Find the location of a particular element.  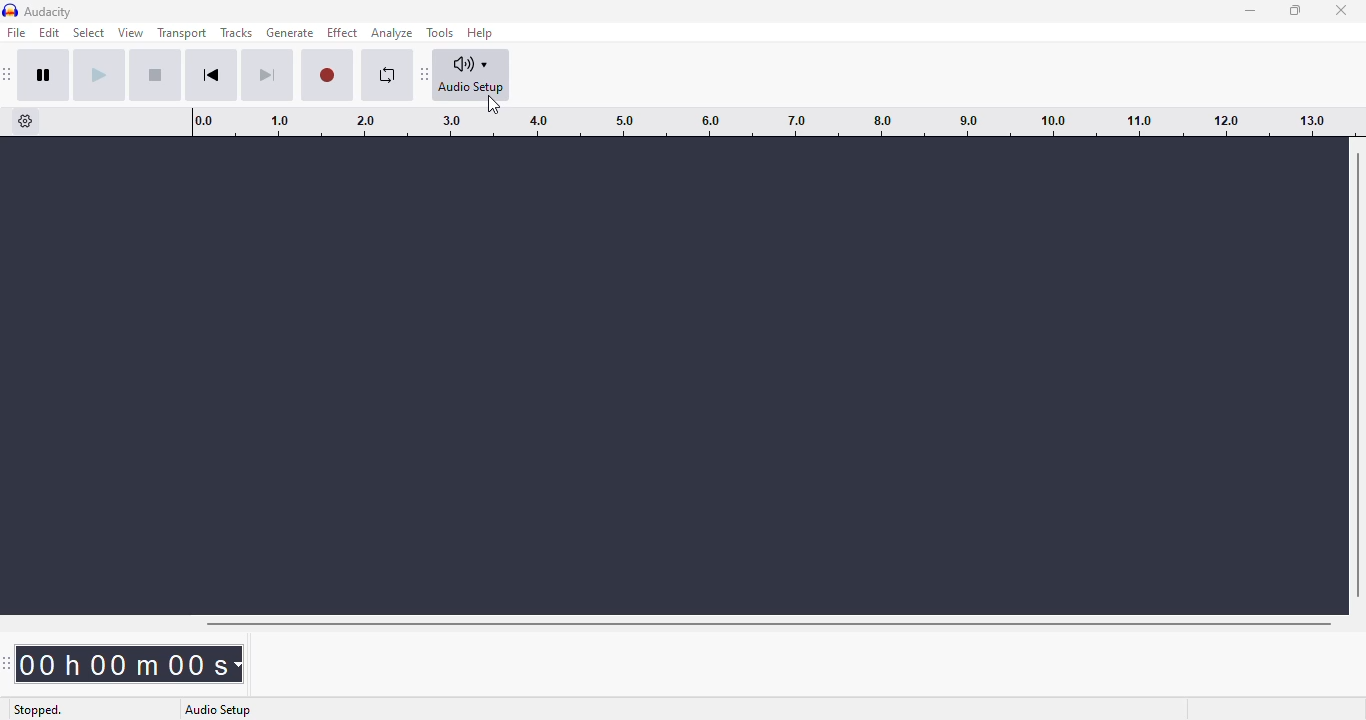

effect is located at coordinates (342, 33).